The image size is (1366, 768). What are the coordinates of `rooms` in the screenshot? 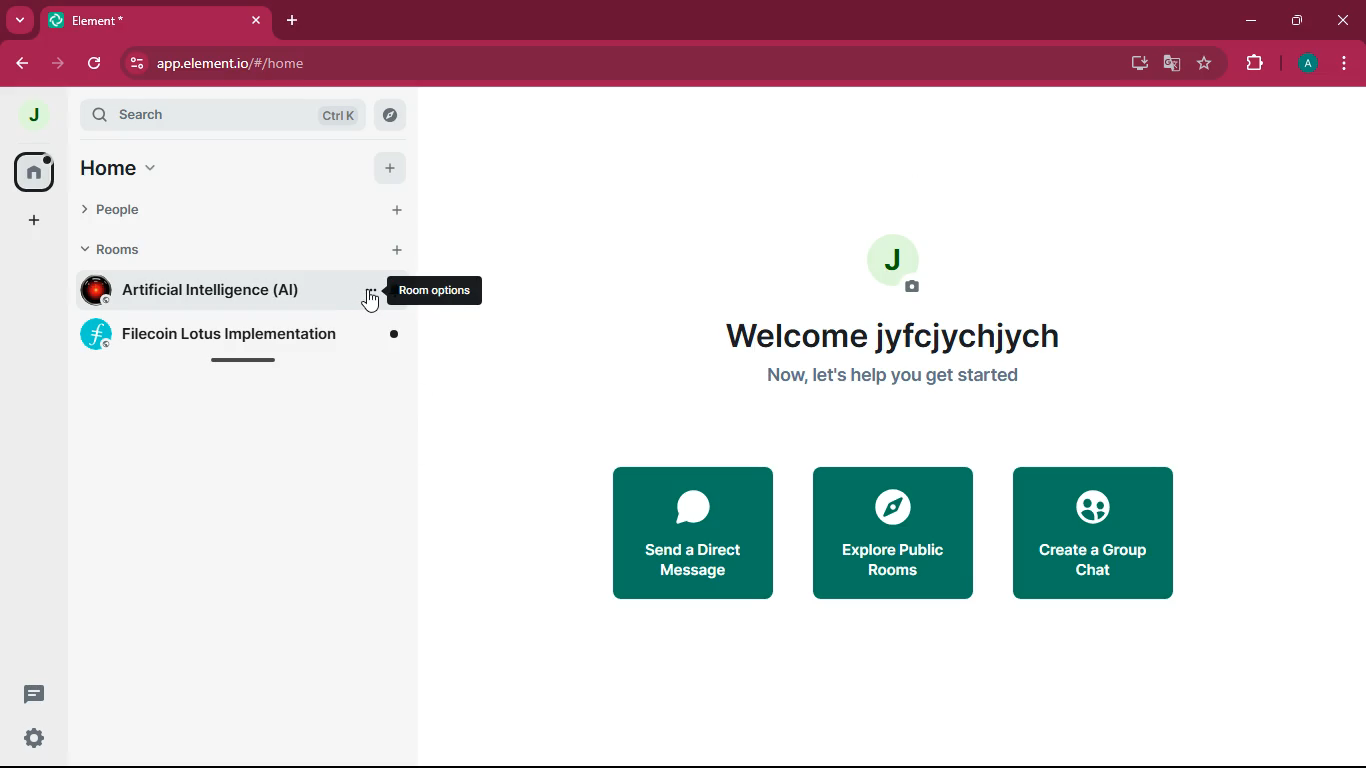 It's located at (124, 248).